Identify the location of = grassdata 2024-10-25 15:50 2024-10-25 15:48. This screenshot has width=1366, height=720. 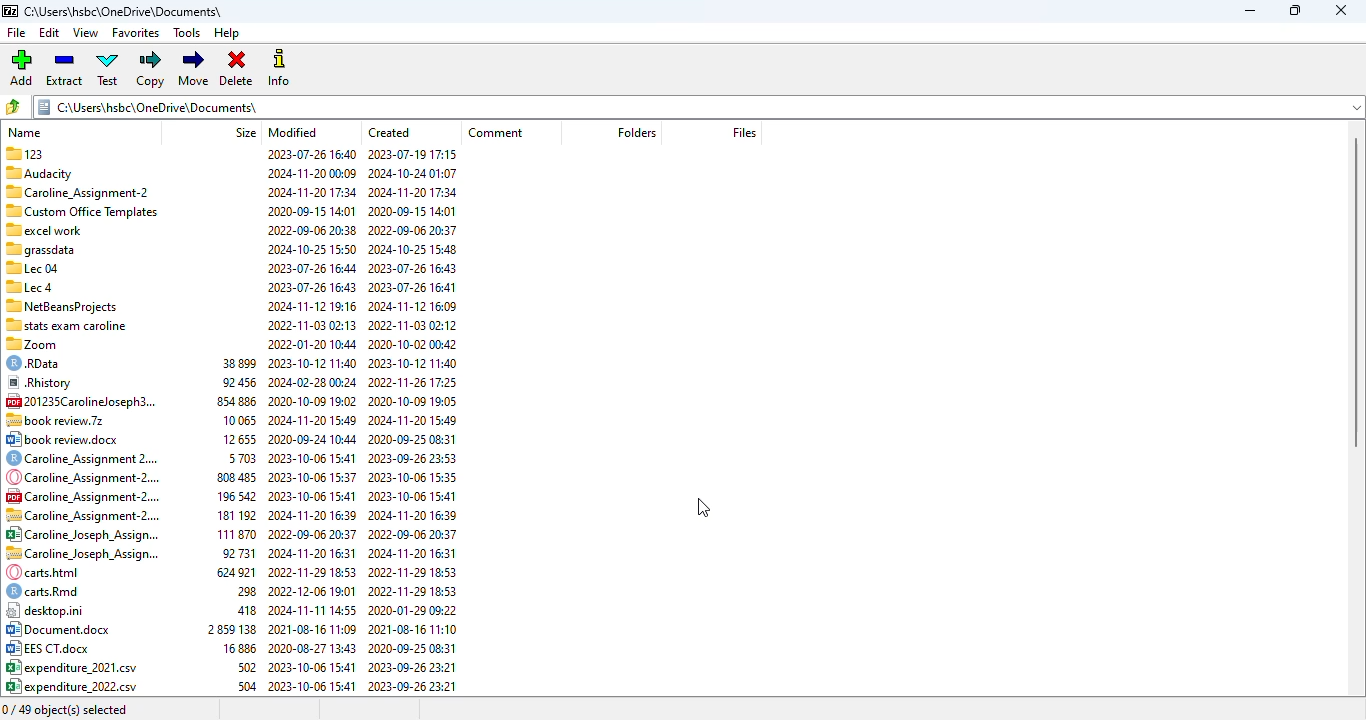
(231, 230).